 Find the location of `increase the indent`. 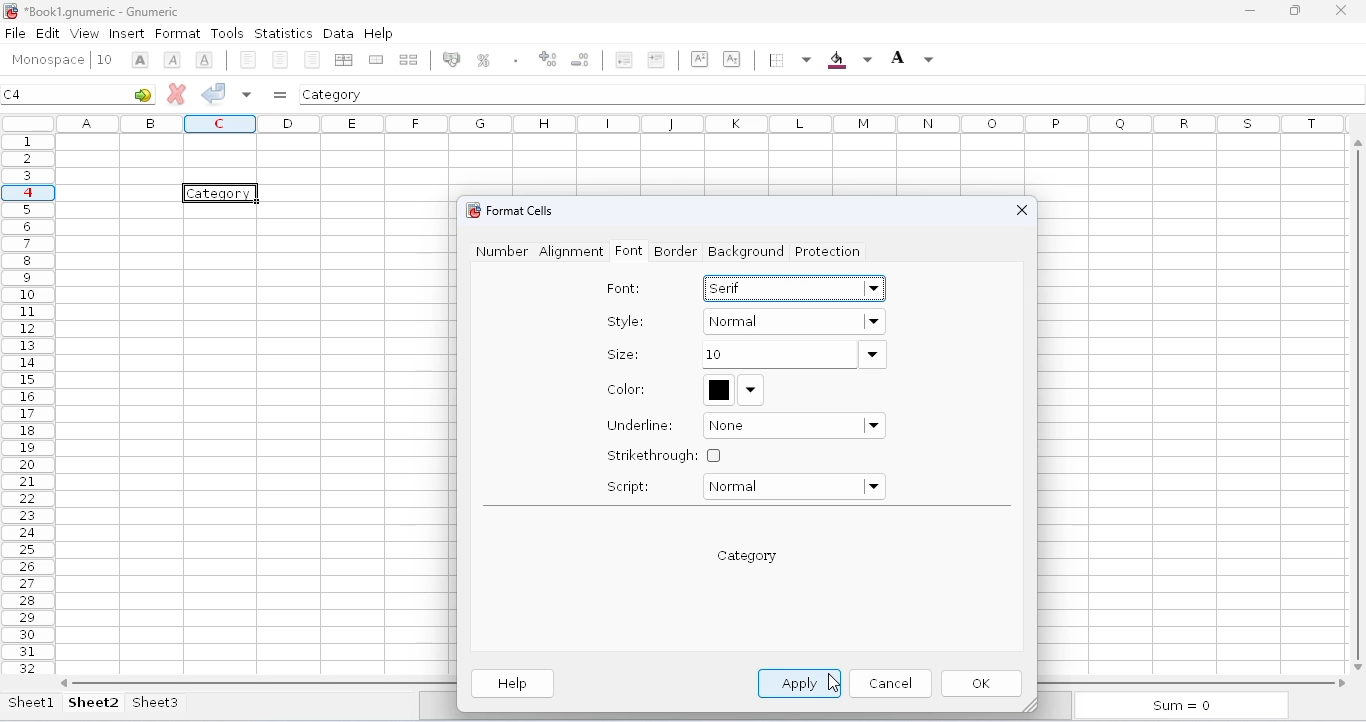

increase the indent is located at coordinates (656, 59).